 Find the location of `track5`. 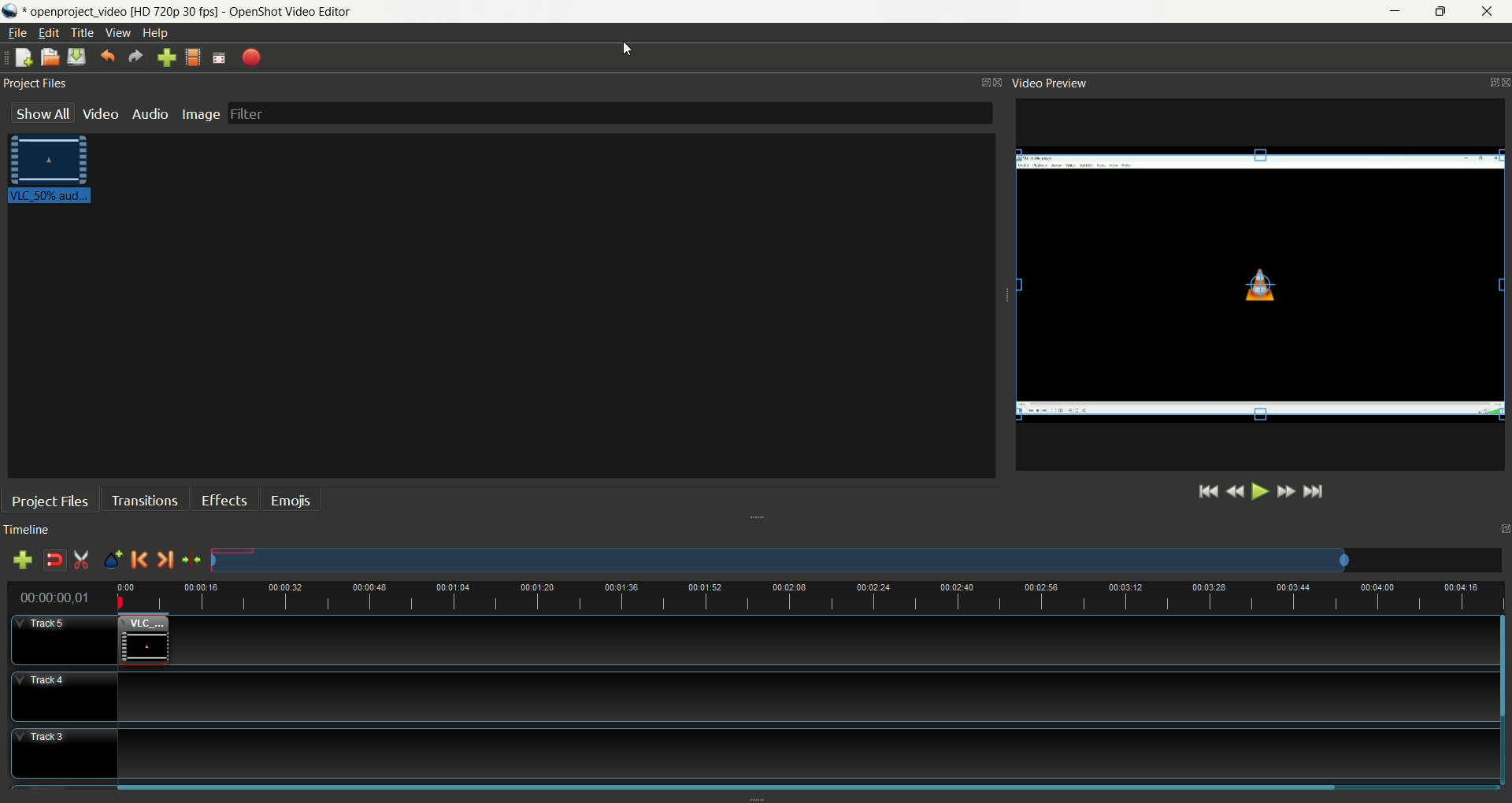

track5 is located at coordinates (65, 639).